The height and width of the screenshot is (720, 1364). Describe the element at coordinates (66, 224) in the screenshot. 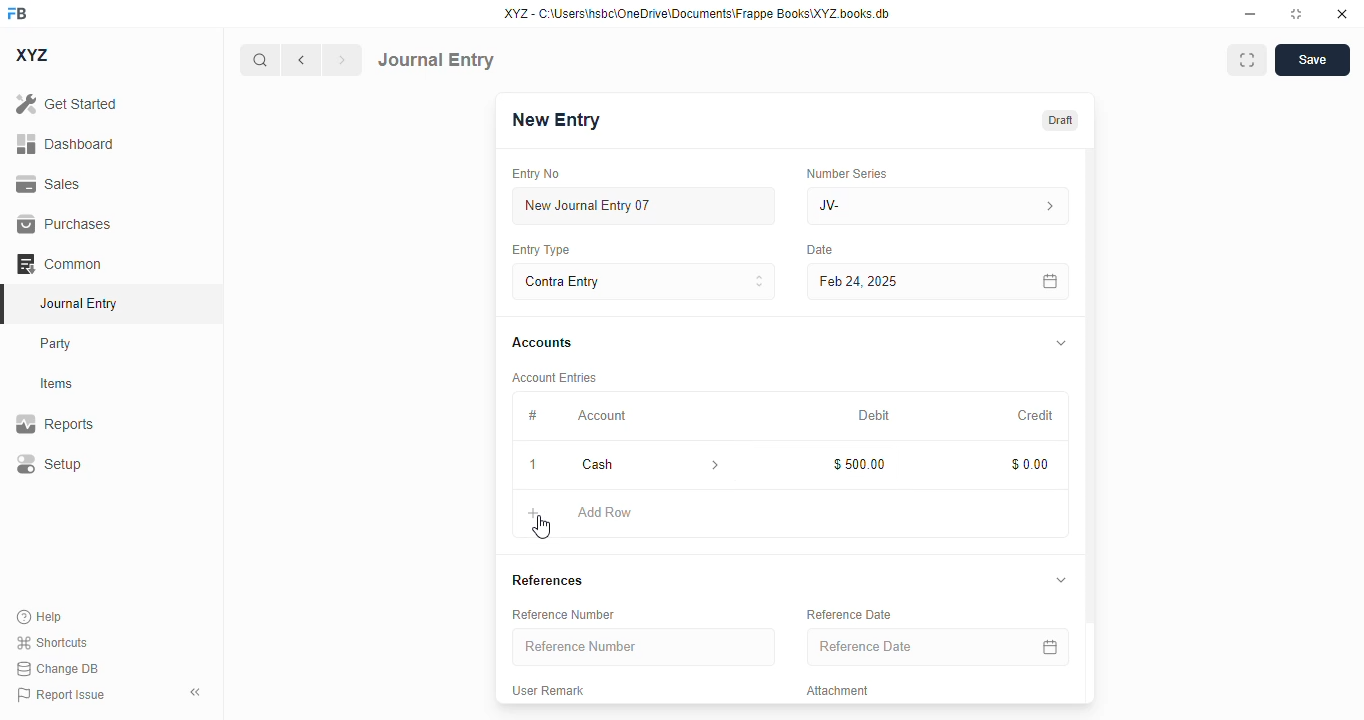

I see `purchases` at that location.